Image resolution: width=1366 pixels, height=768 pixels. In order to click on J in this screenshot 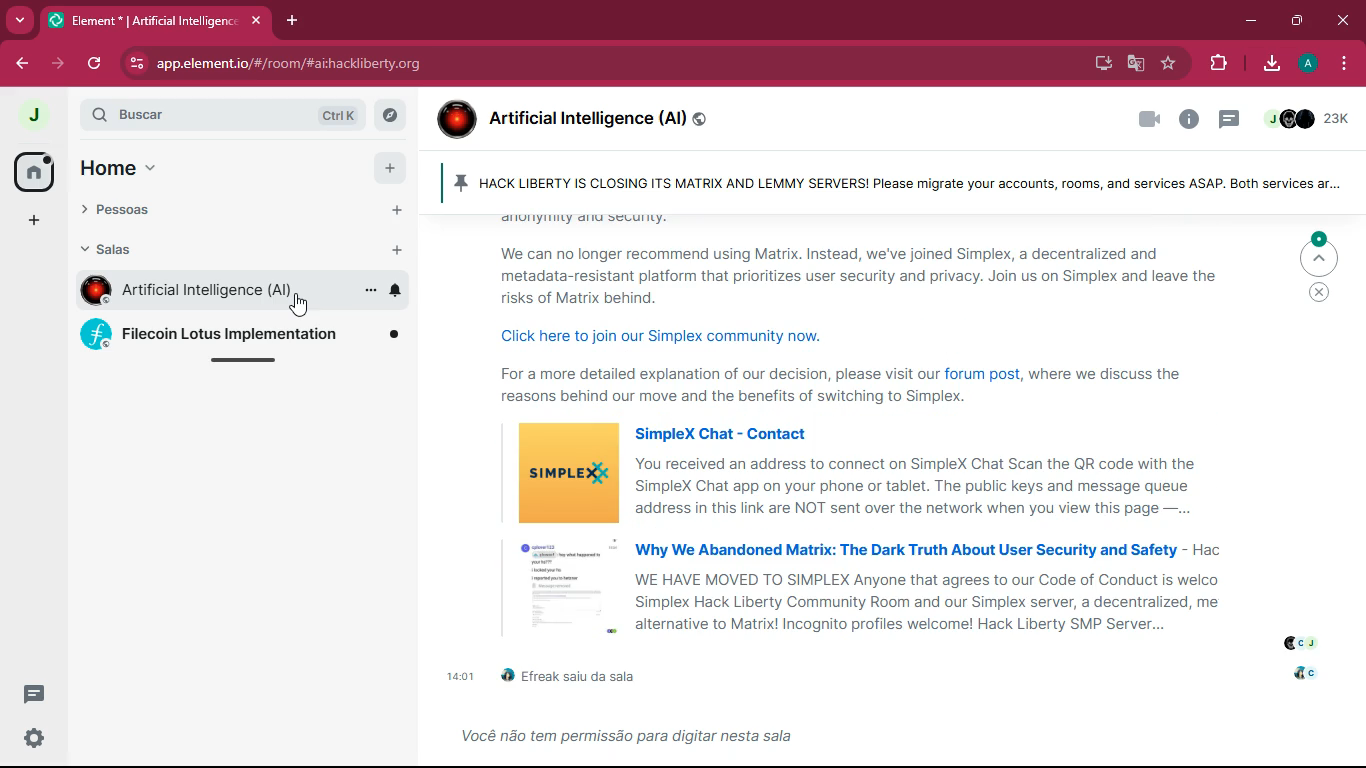, I will do `click(32, 114)`.